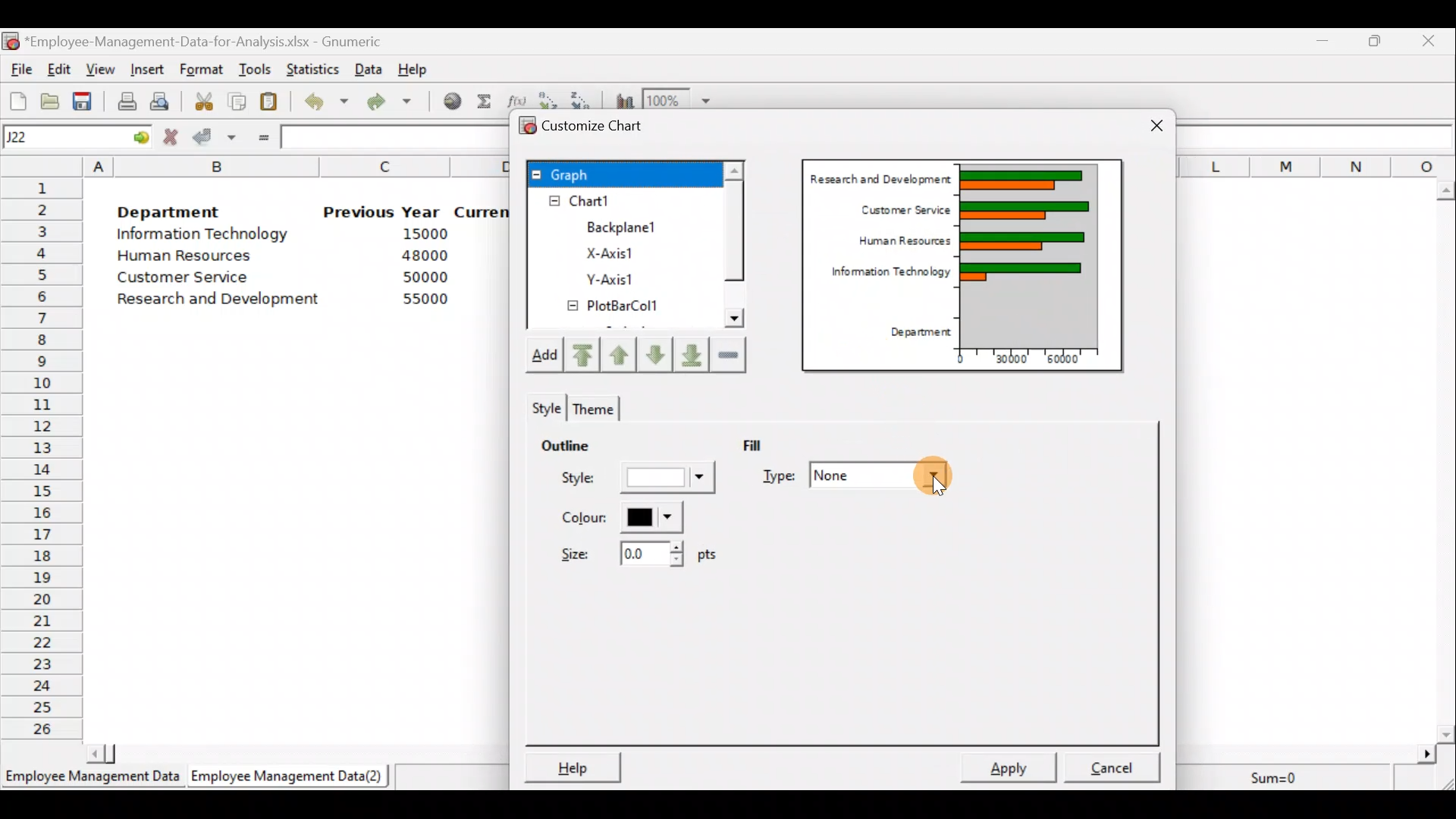 Image resolution: width=1456 pixels, height=819 pixels. I want to click on BackPlane1, so click(631, 225).